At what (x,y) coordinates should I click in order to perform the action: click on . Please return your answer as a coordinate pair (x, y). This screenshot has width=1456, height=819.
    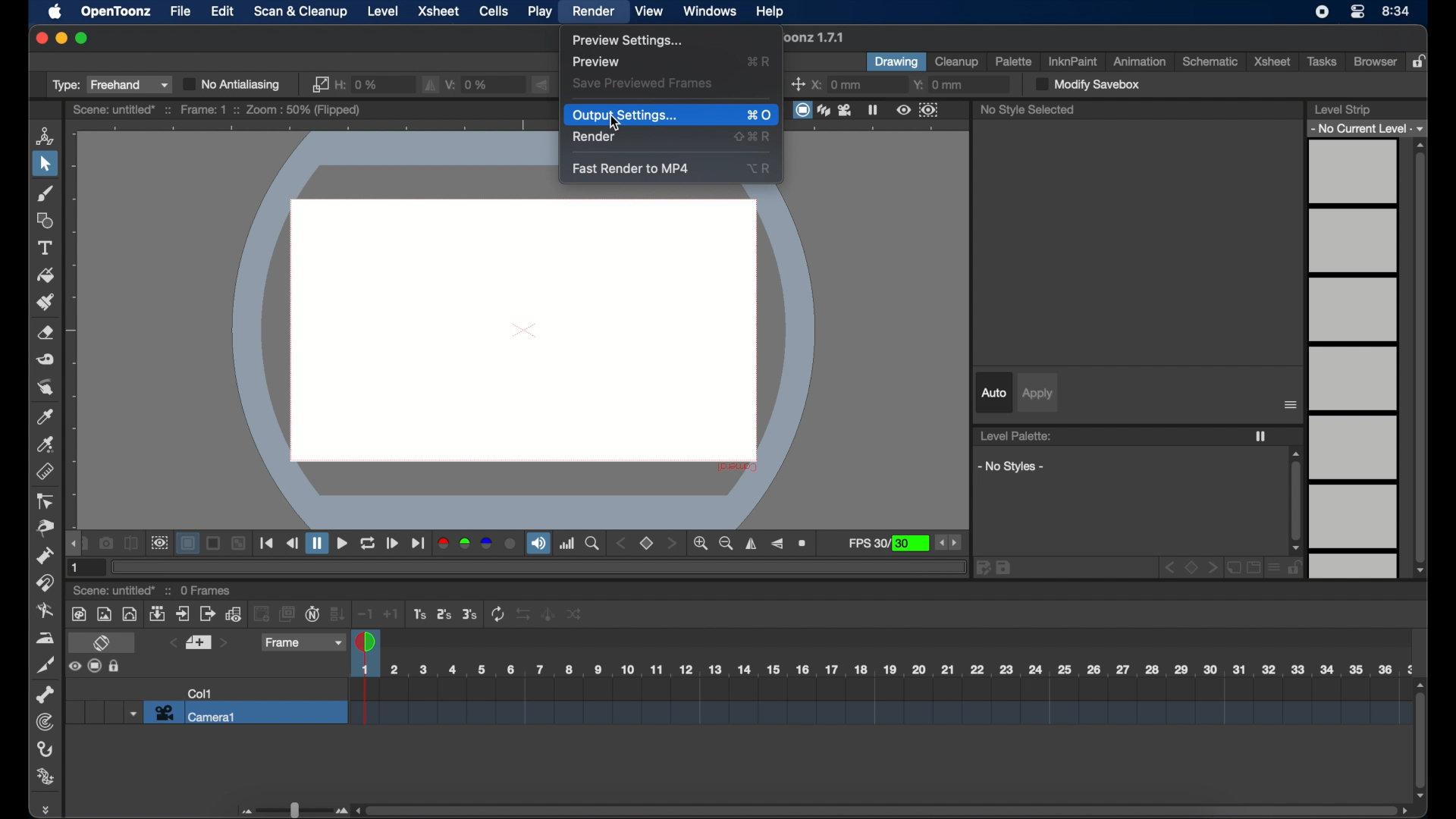
    Looking at the image, I should click on (289, 614).